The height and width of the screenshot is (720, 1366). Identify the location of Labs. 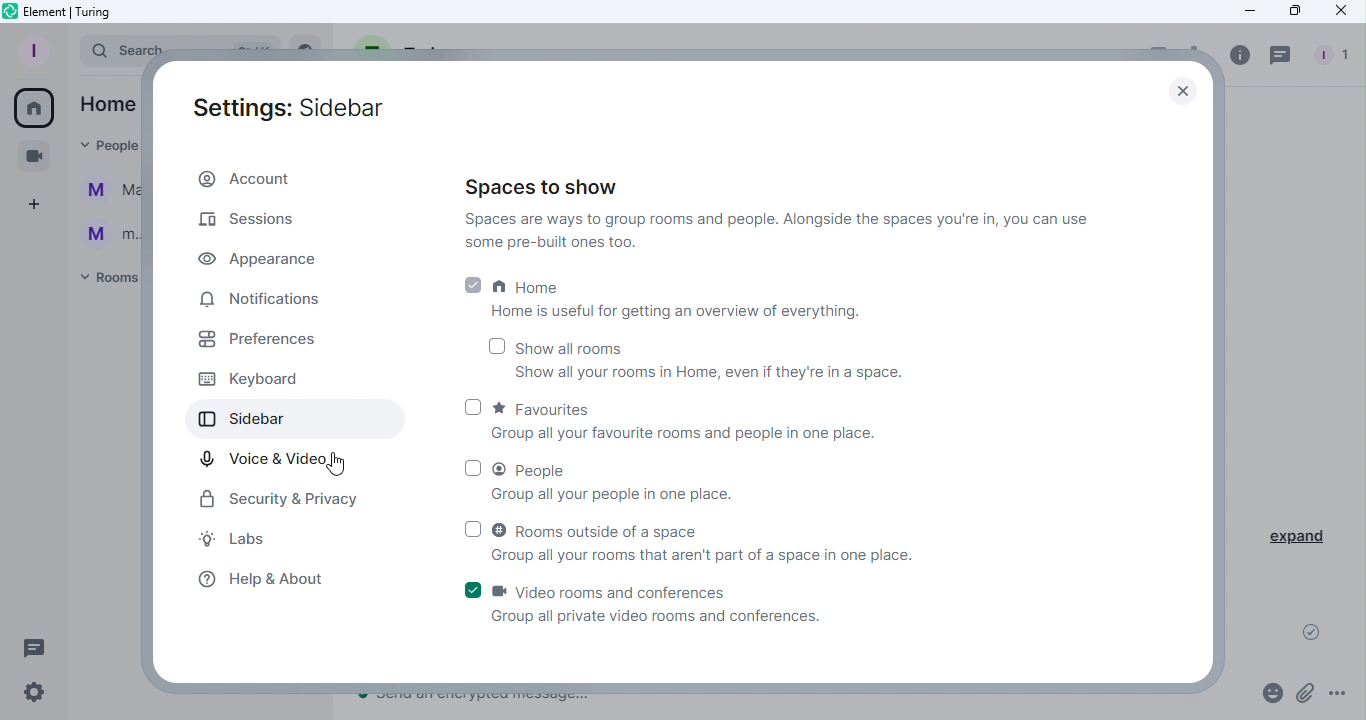
(229, 540).